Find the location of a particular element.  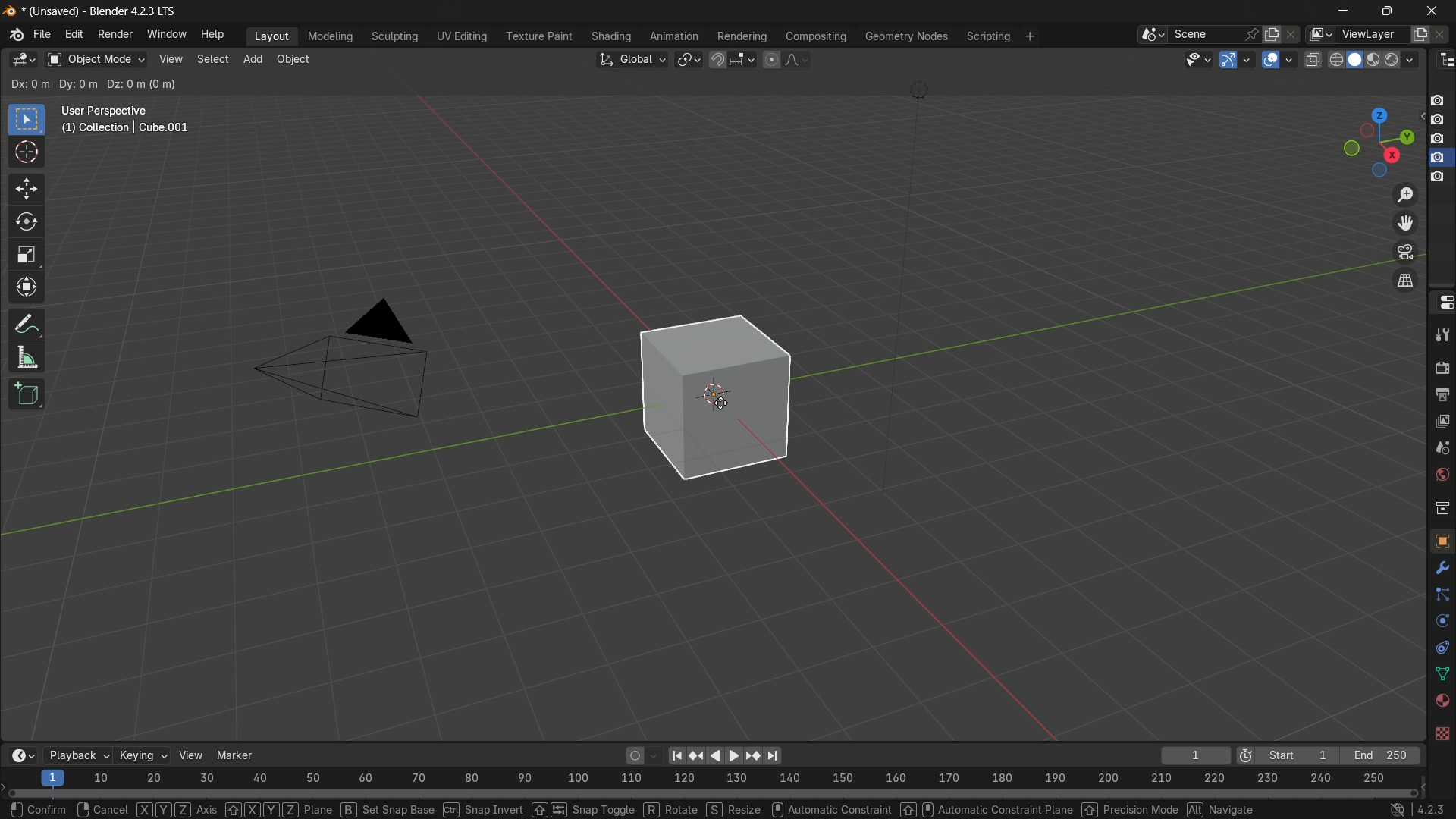

material is located at coordinates (1442, 701).